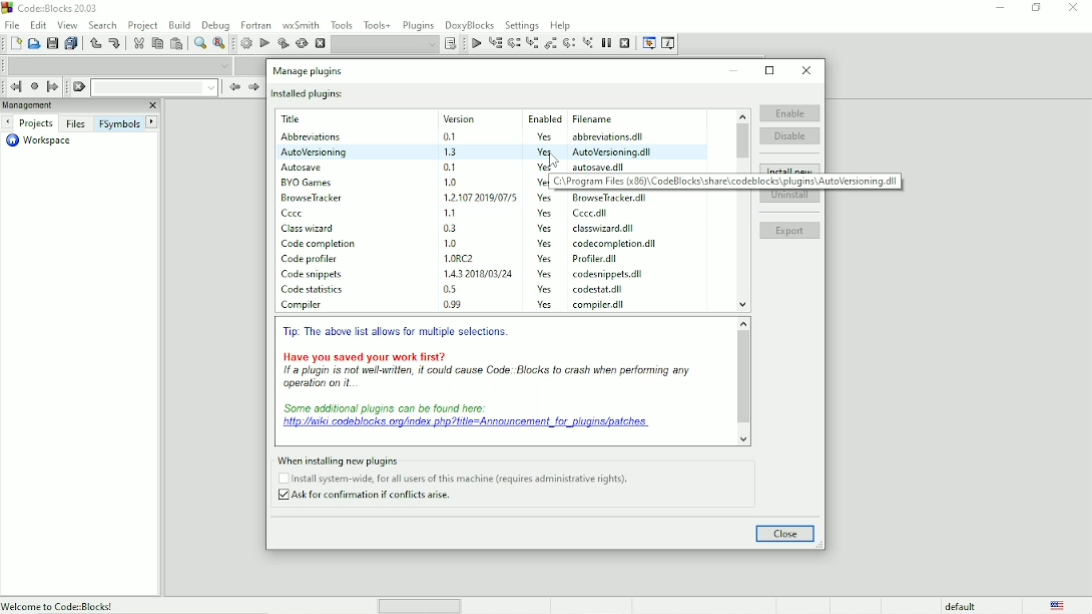 This screenshot has width=1092, height=614. I want to click on | Tip. The above fist allows for multiple selections., so click(398, 333).